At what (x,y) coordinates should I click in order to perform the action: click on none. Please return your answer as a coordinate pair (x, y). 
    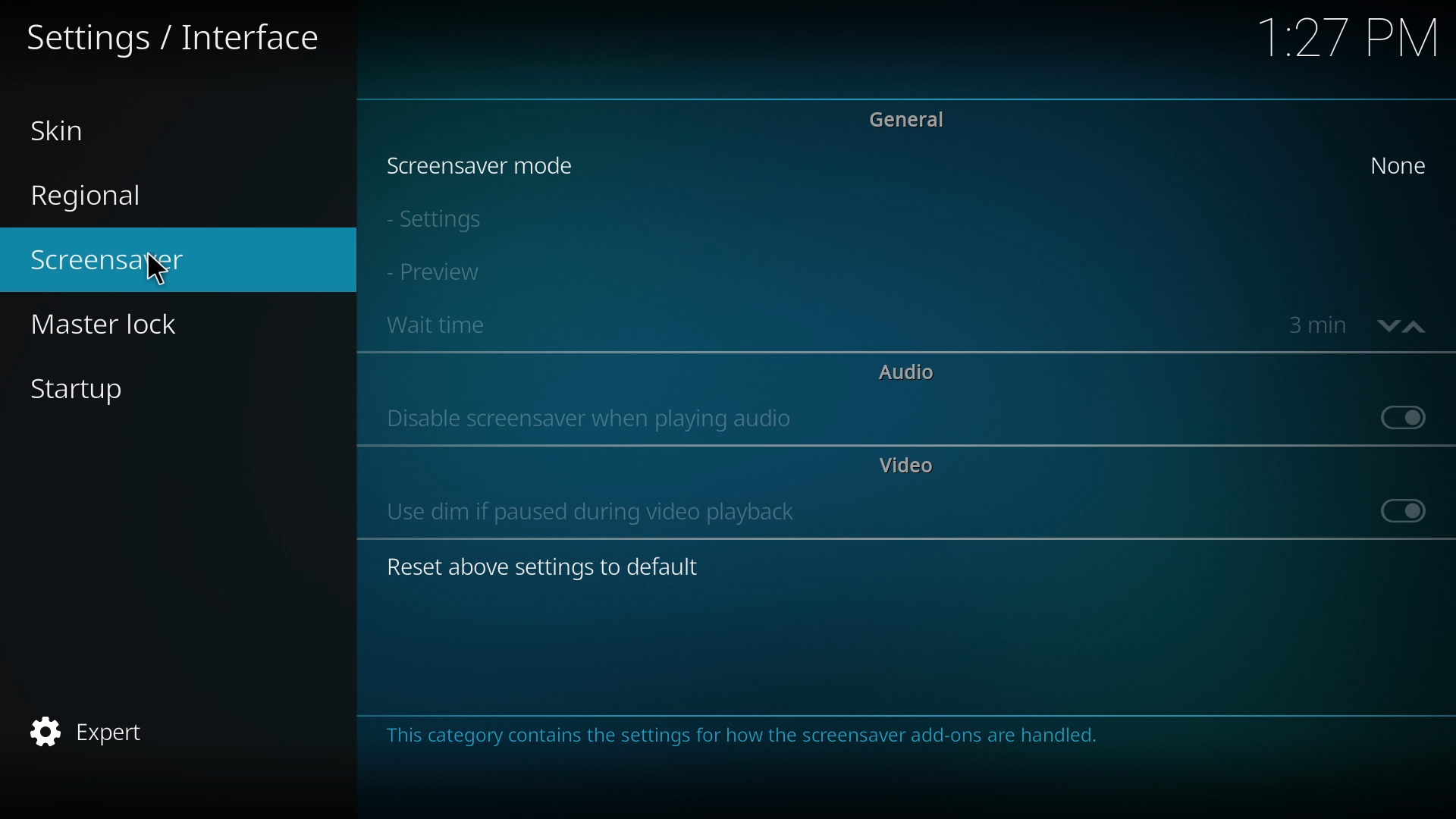
    Looking at the image, I should click on (1404, 165).